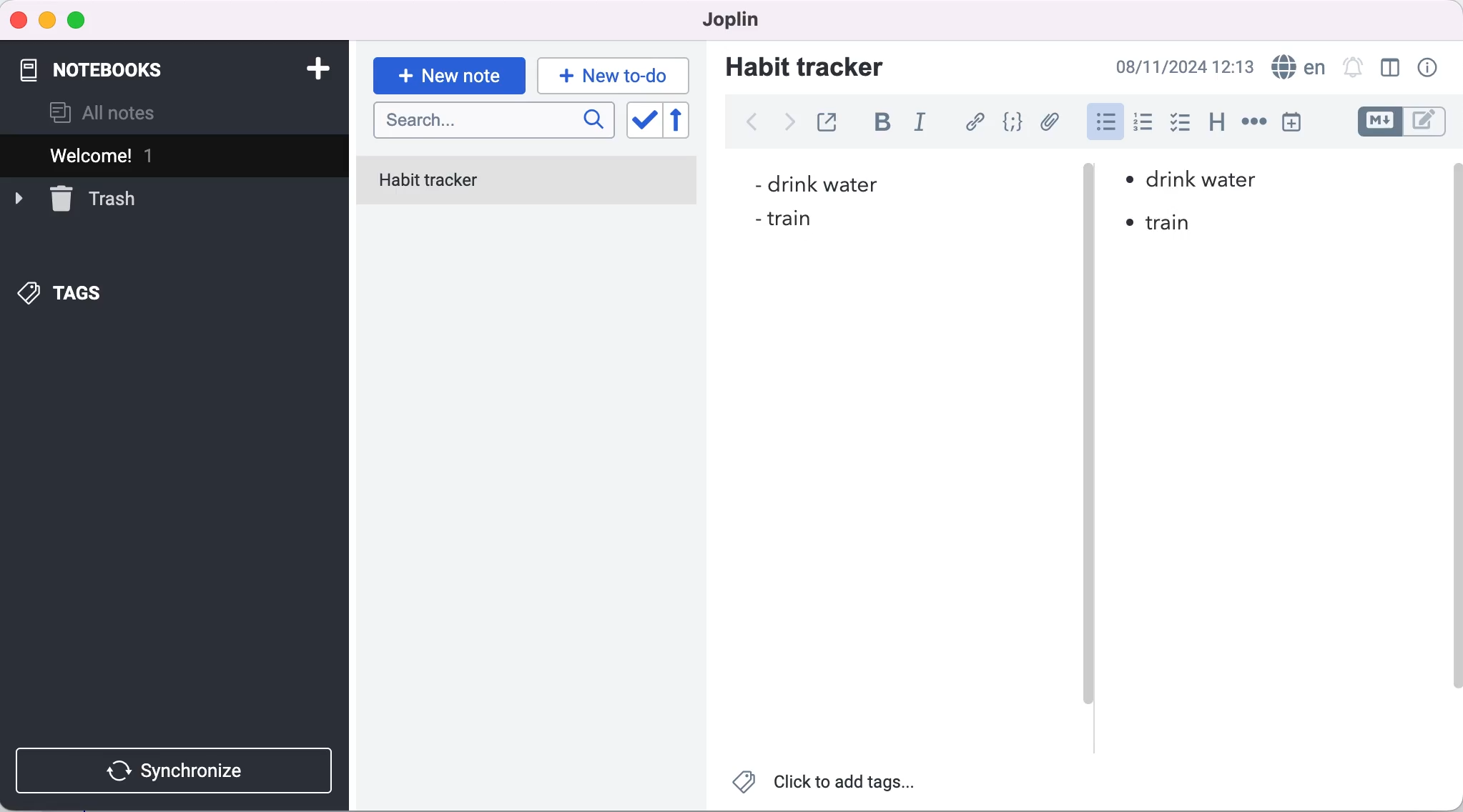 The image size is (1463, 812). Describe the element at coordinates (79, 21) in the screenshot. I see `maximize` at that location.